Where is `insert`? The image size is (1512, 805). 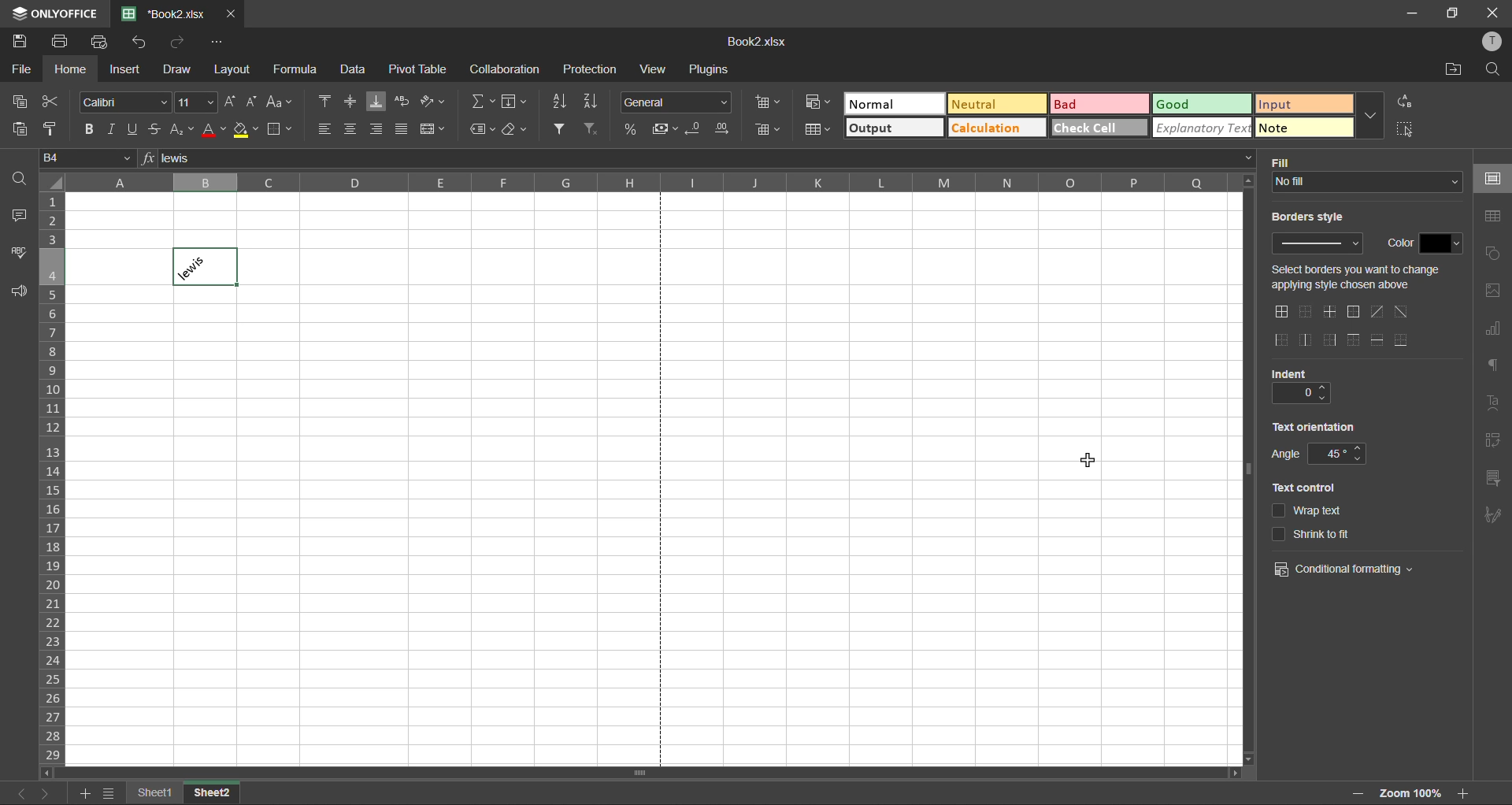 insert is located at coordinates (128, 69).